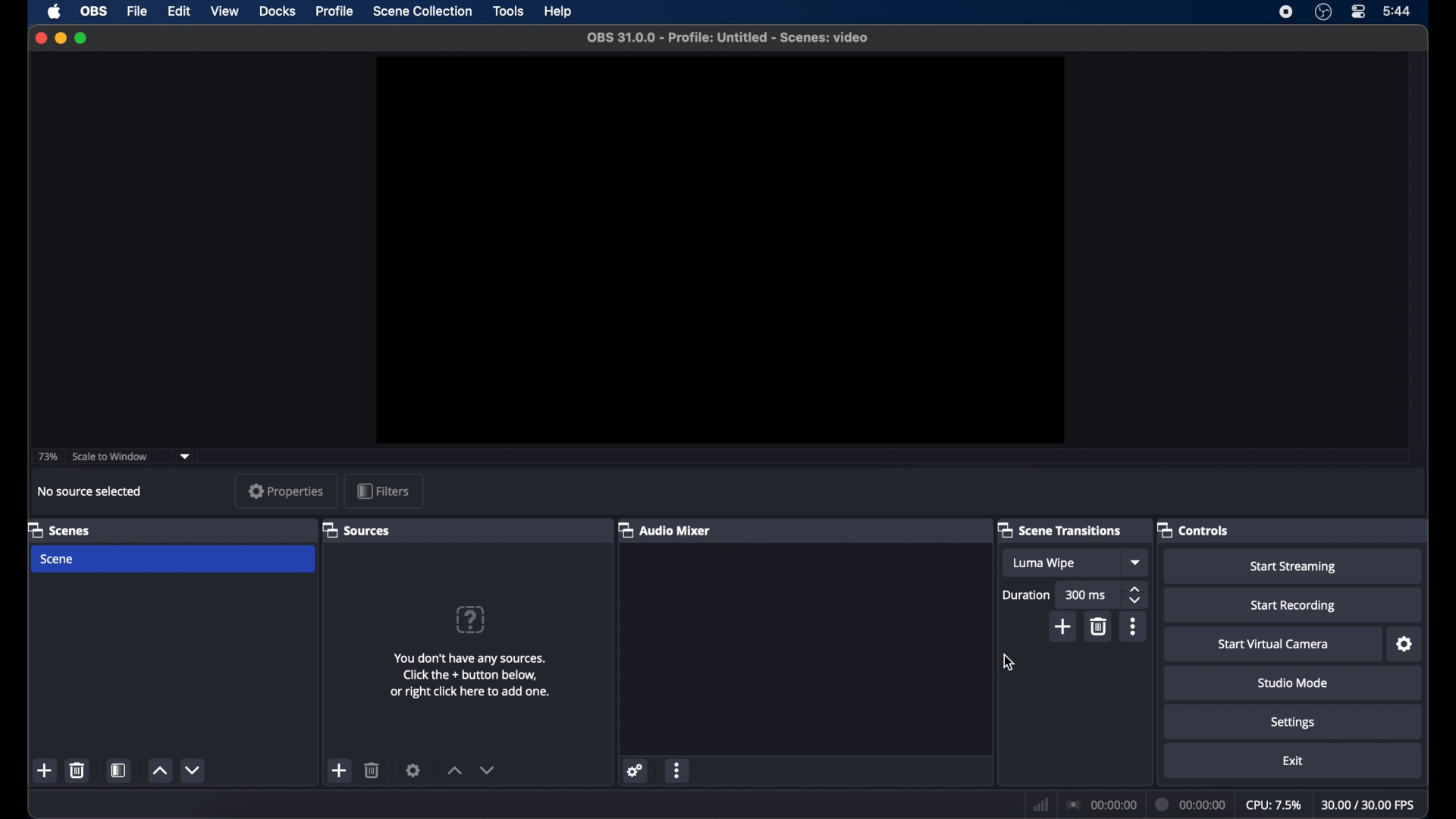 This screenshot has height=819, width=1456. Describe the element at coordinates (45, 770) in the screenshot. I see `add` at that location.